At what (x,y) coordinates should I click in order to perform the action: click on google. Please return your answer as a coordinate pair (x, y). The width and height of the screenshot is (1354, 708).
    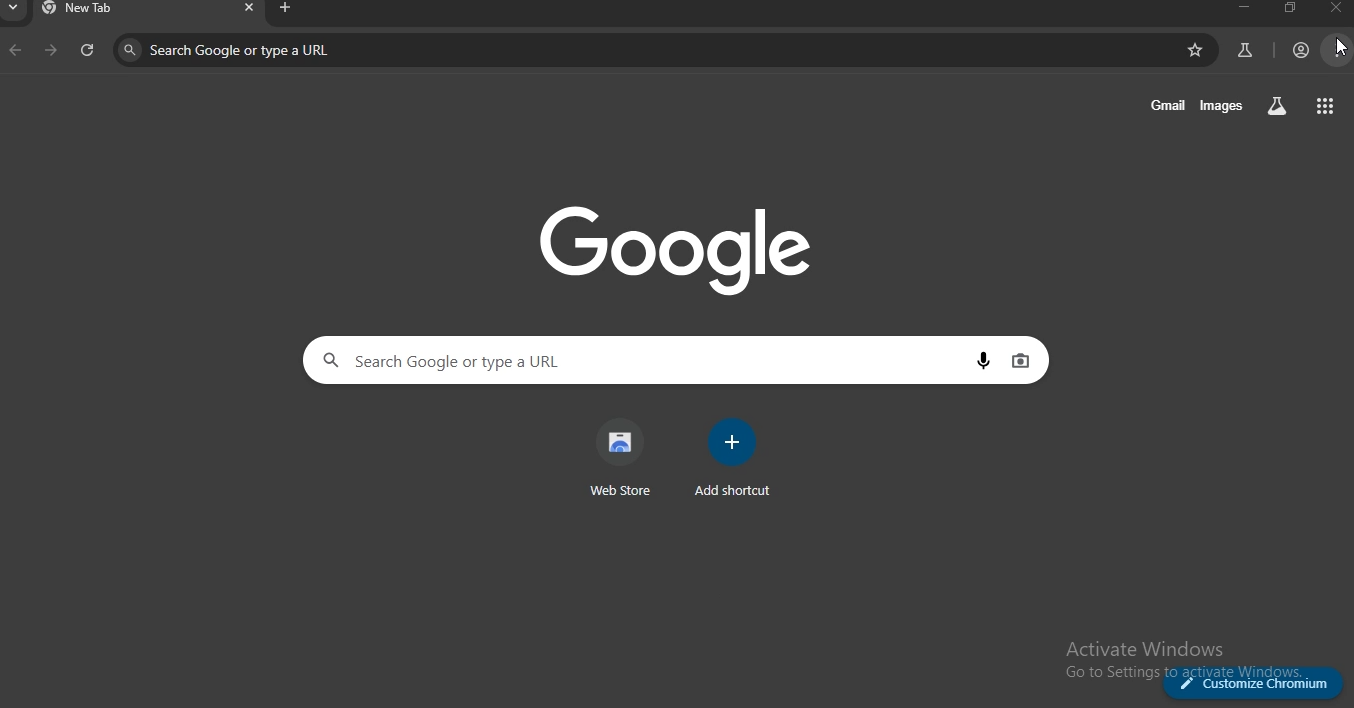
    Looking at the image, I should click on (676, 243).